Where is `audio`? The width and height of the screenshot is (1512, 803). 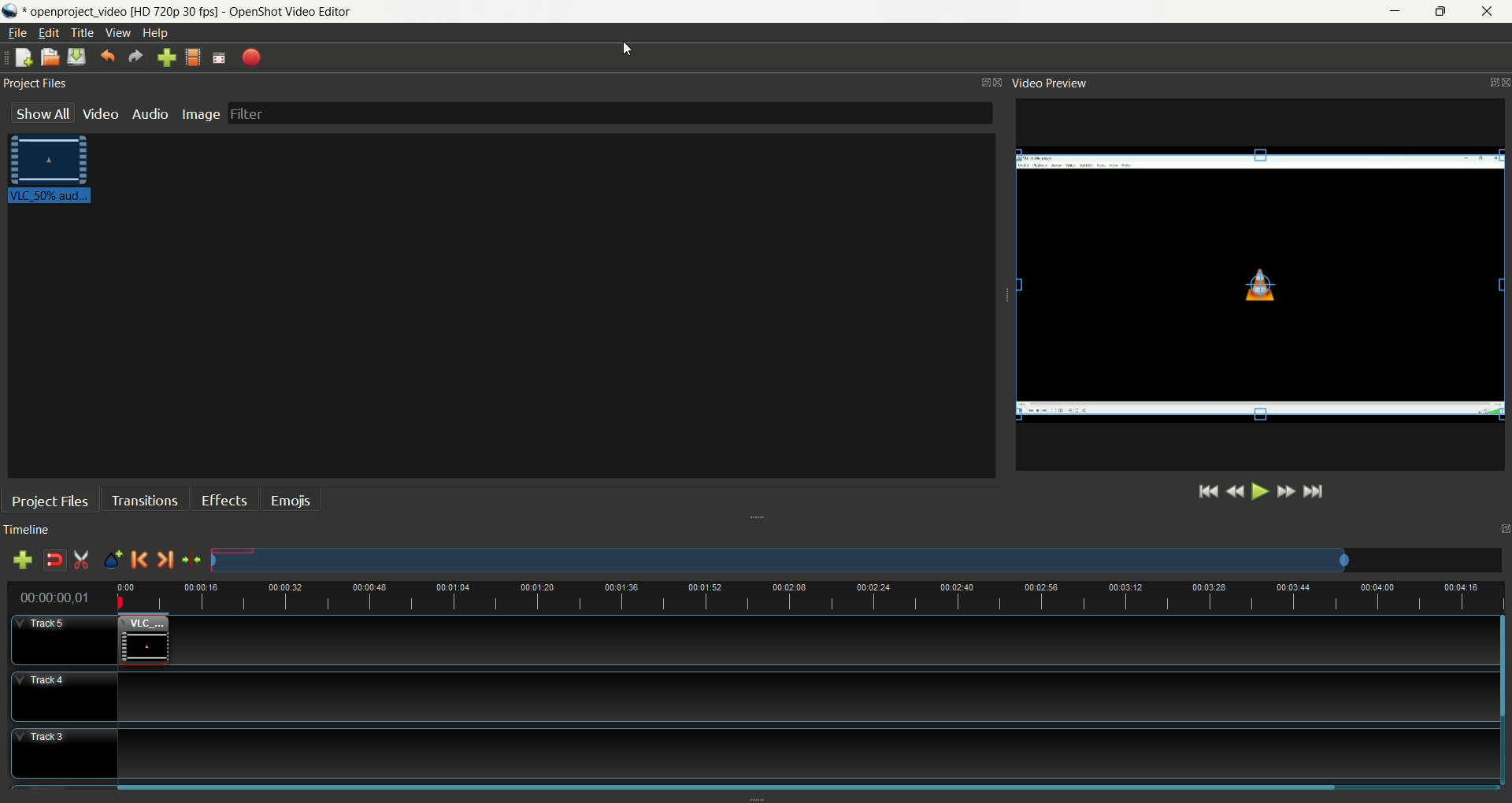 audio is located at coordinates (150, 113).